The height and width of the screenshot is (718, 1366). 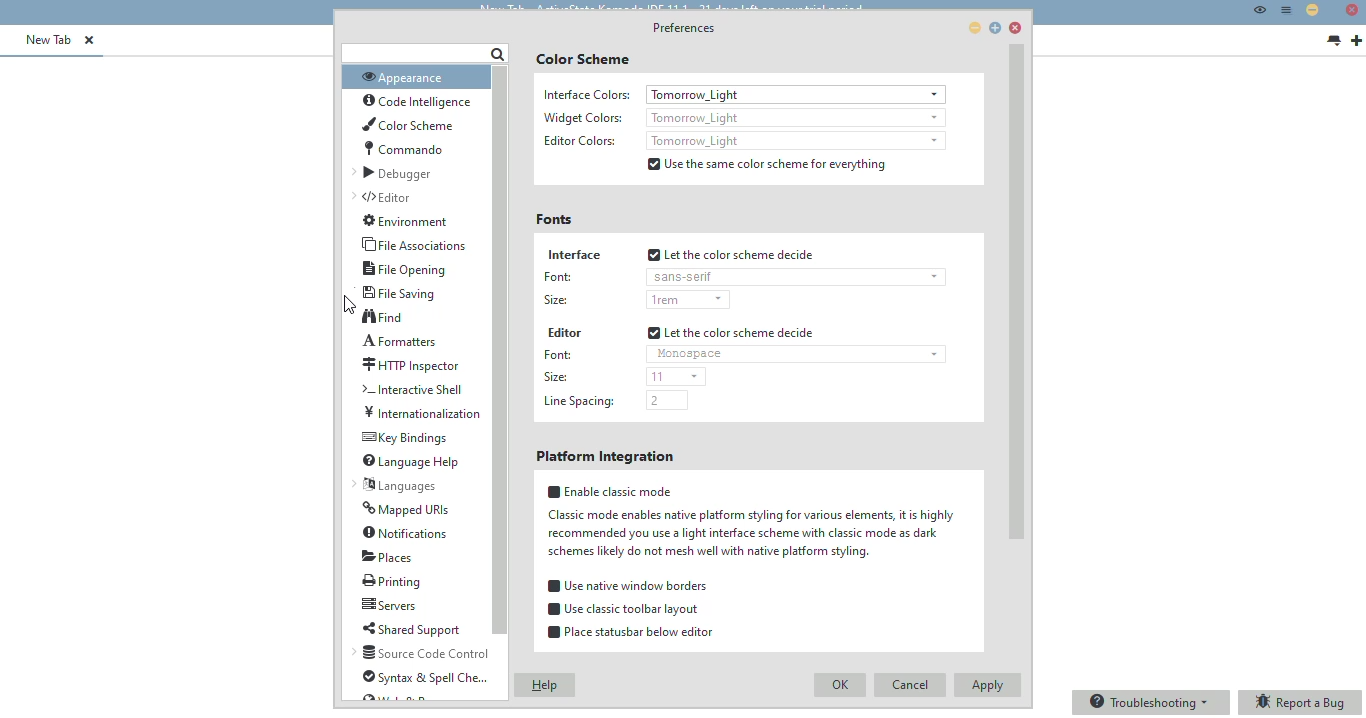 I want to click on use native window borders, so click(x=627, y=586).